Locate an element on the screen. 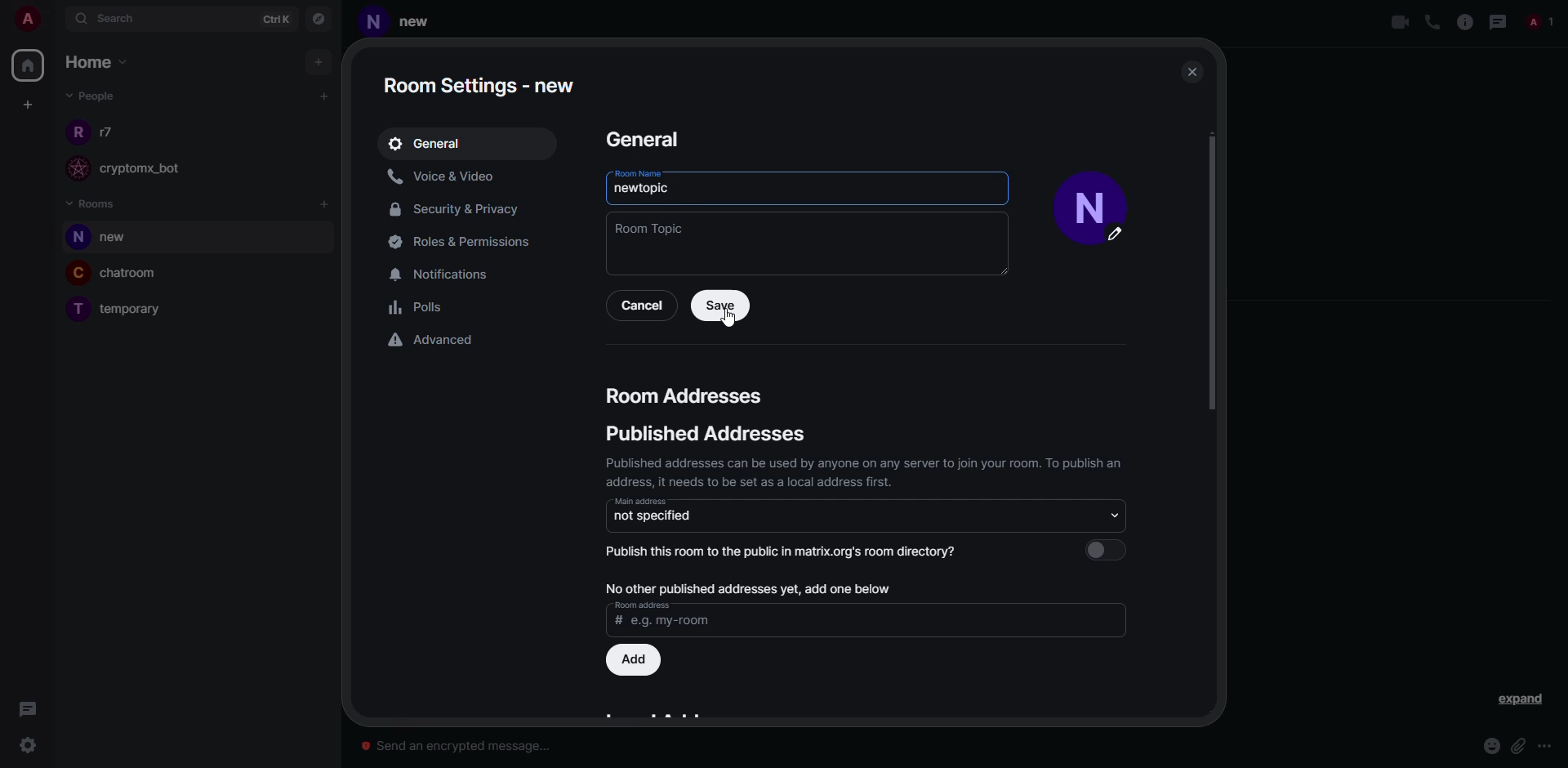 The image size is (1568, 768). voice call is located at coordinates (1430, 22).